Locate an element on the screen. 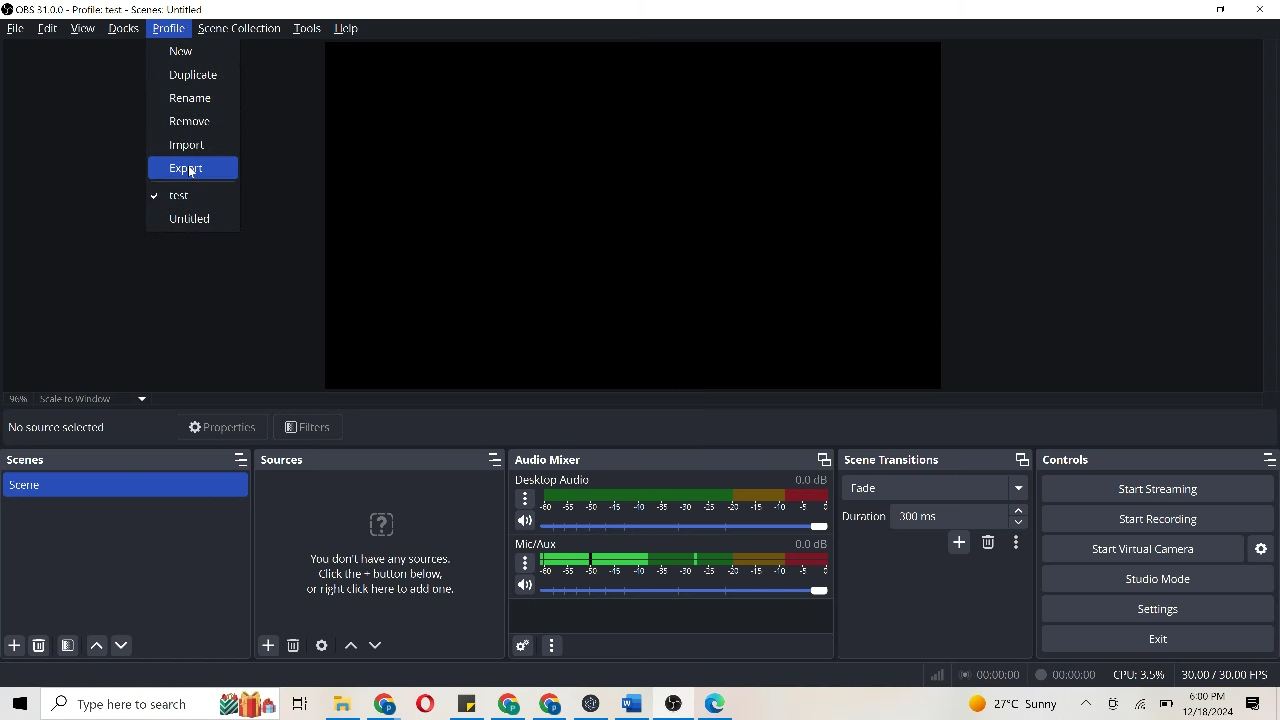 The height and width of the screenshot is (720, 1280). speaker is located at coordinates (524, 520).